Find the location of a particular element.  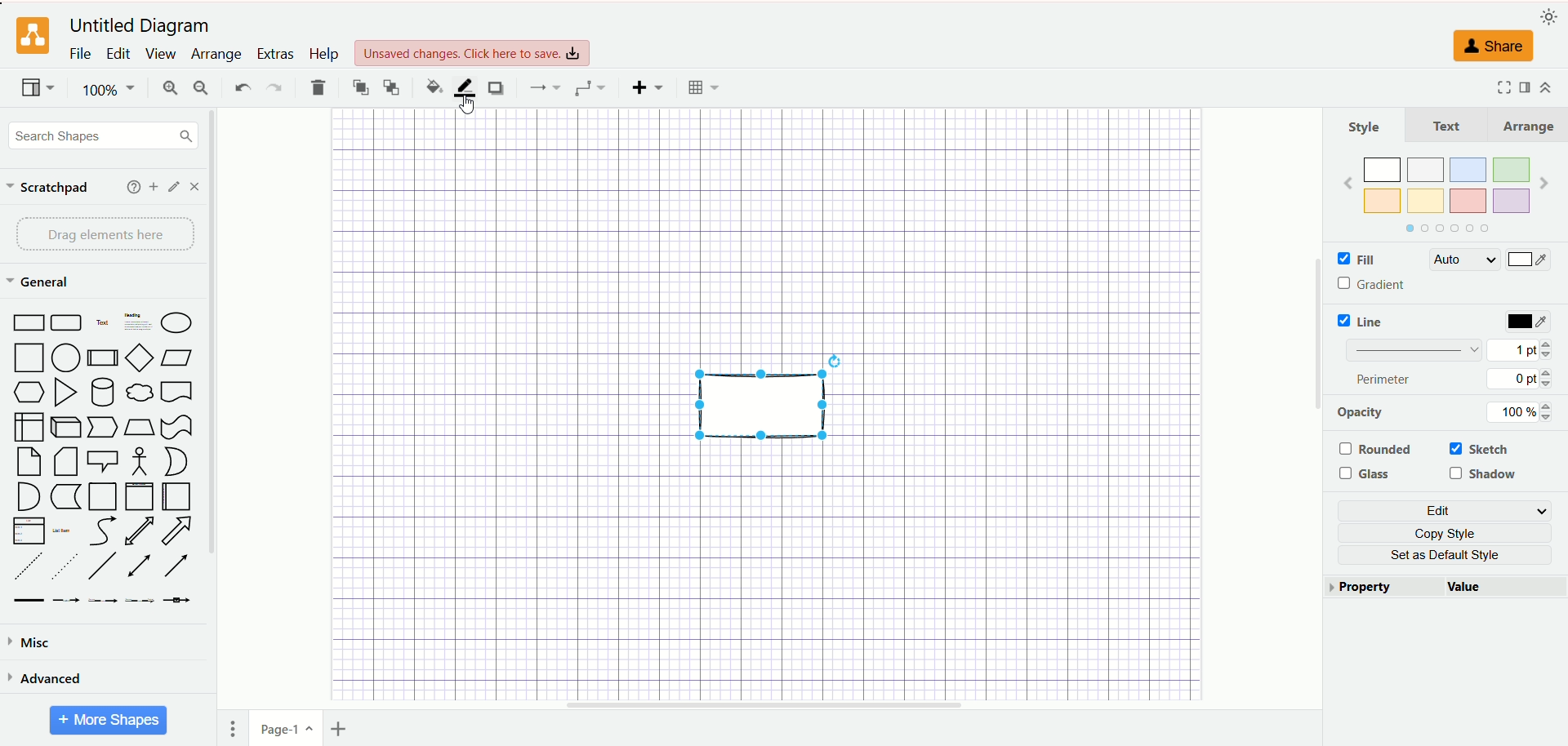

logo is located at coordinates (33, 36).